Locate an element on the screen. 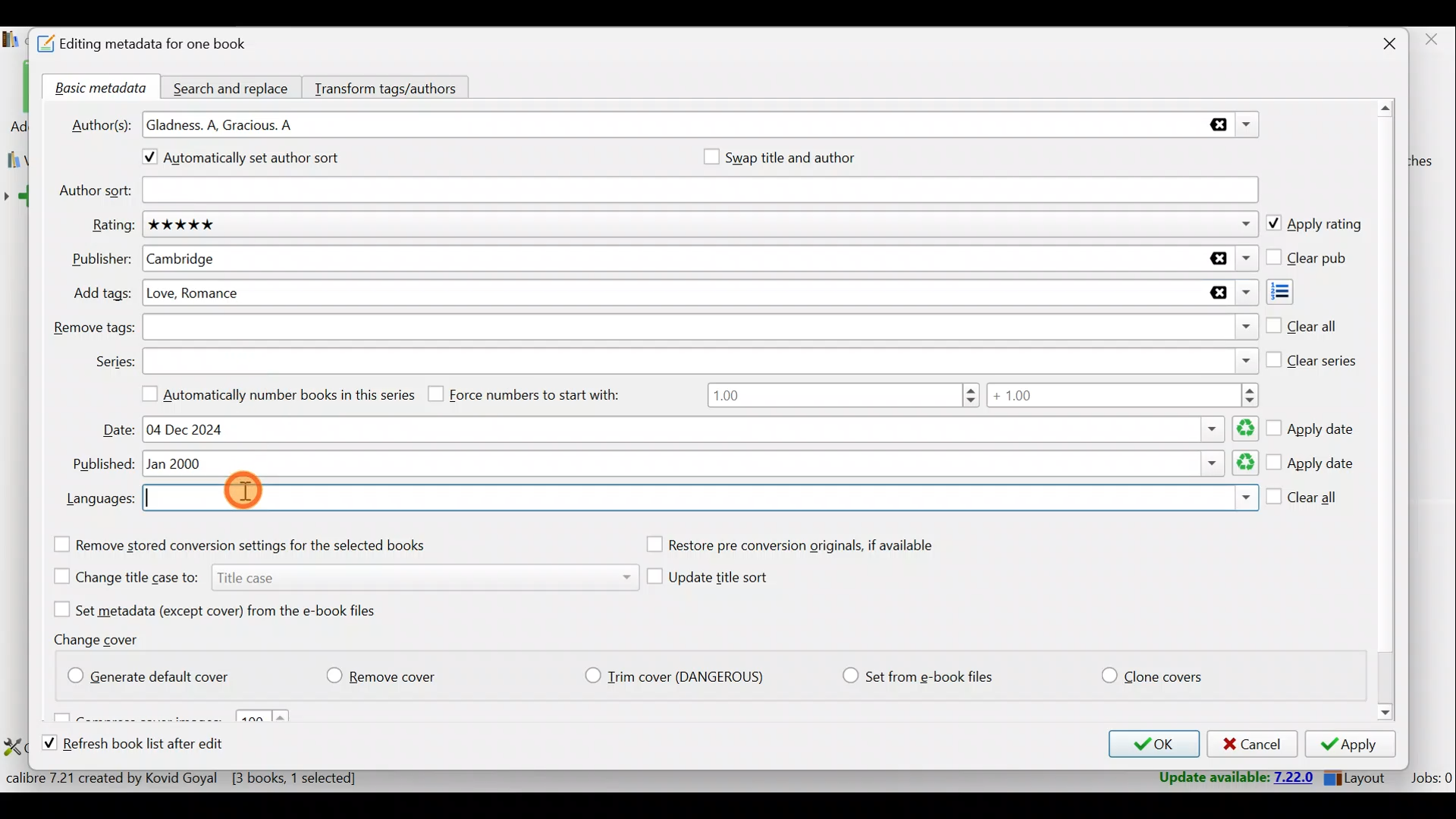 The image size is (1456, 819). Set metadata (except cover) from the e-book files is located at coordinates (234, 609).